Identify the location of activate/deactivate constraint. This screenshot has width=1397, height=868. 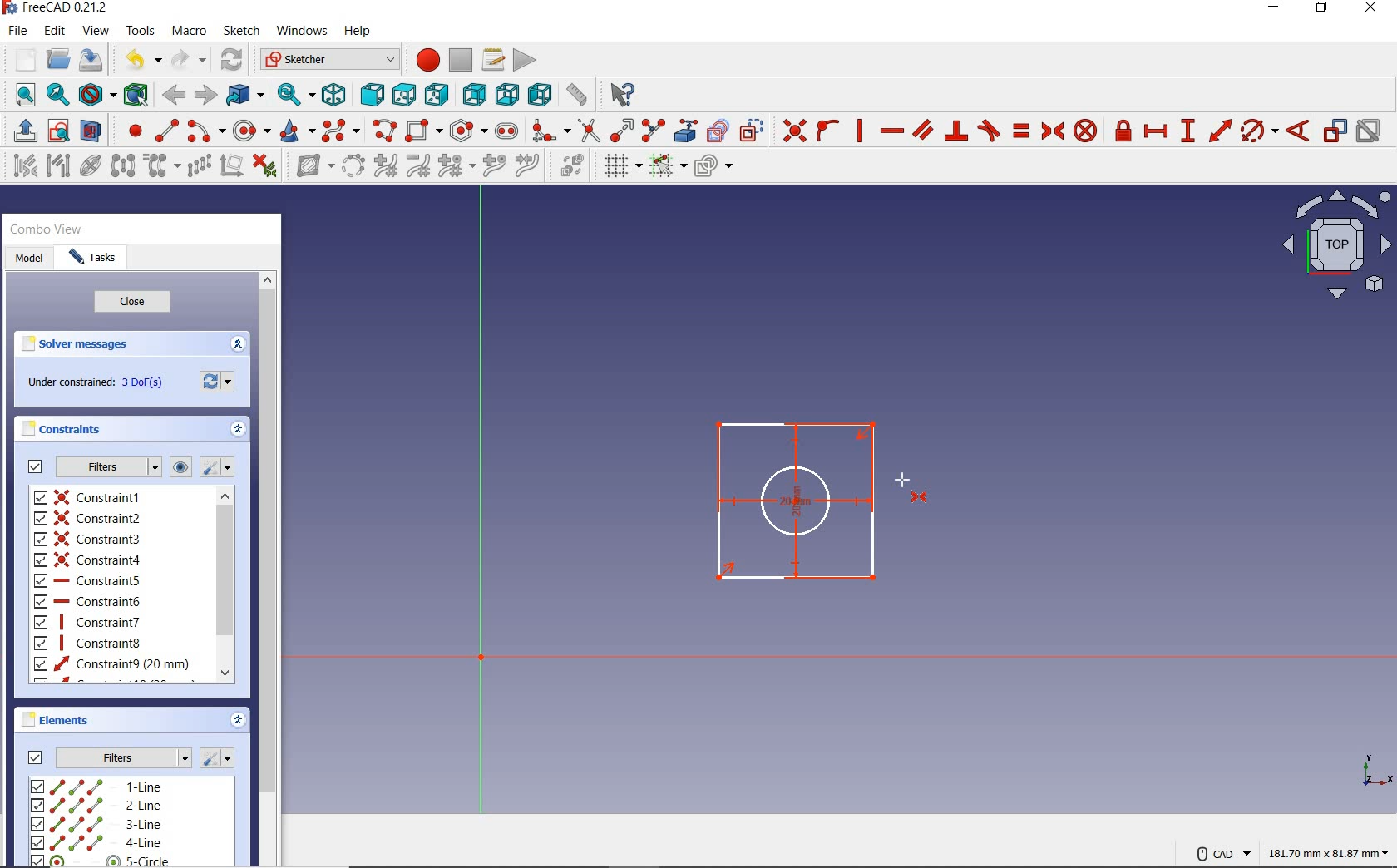
(1369, 131).